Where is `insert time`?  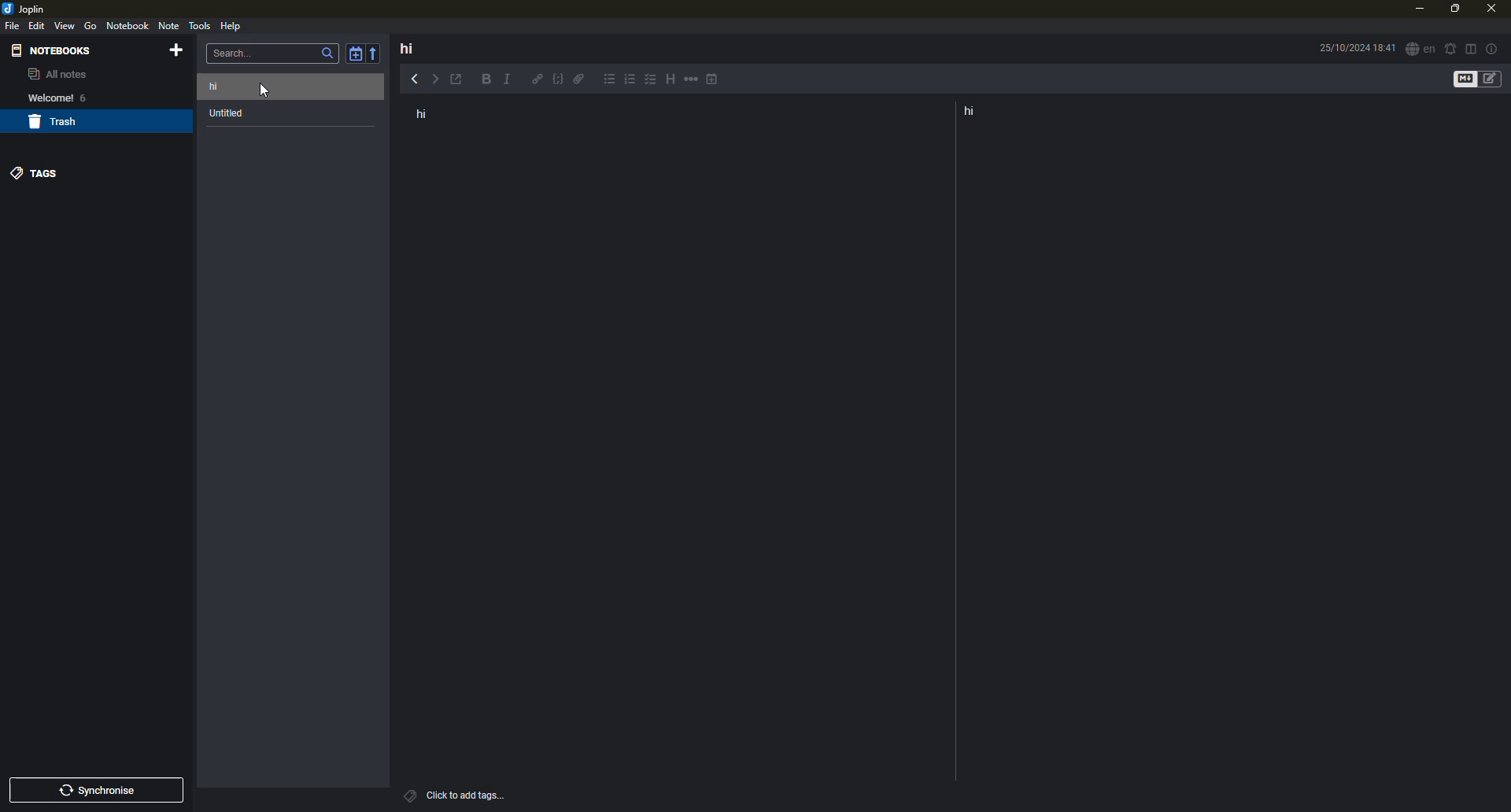
insert time is located at coordinates (715, 80).